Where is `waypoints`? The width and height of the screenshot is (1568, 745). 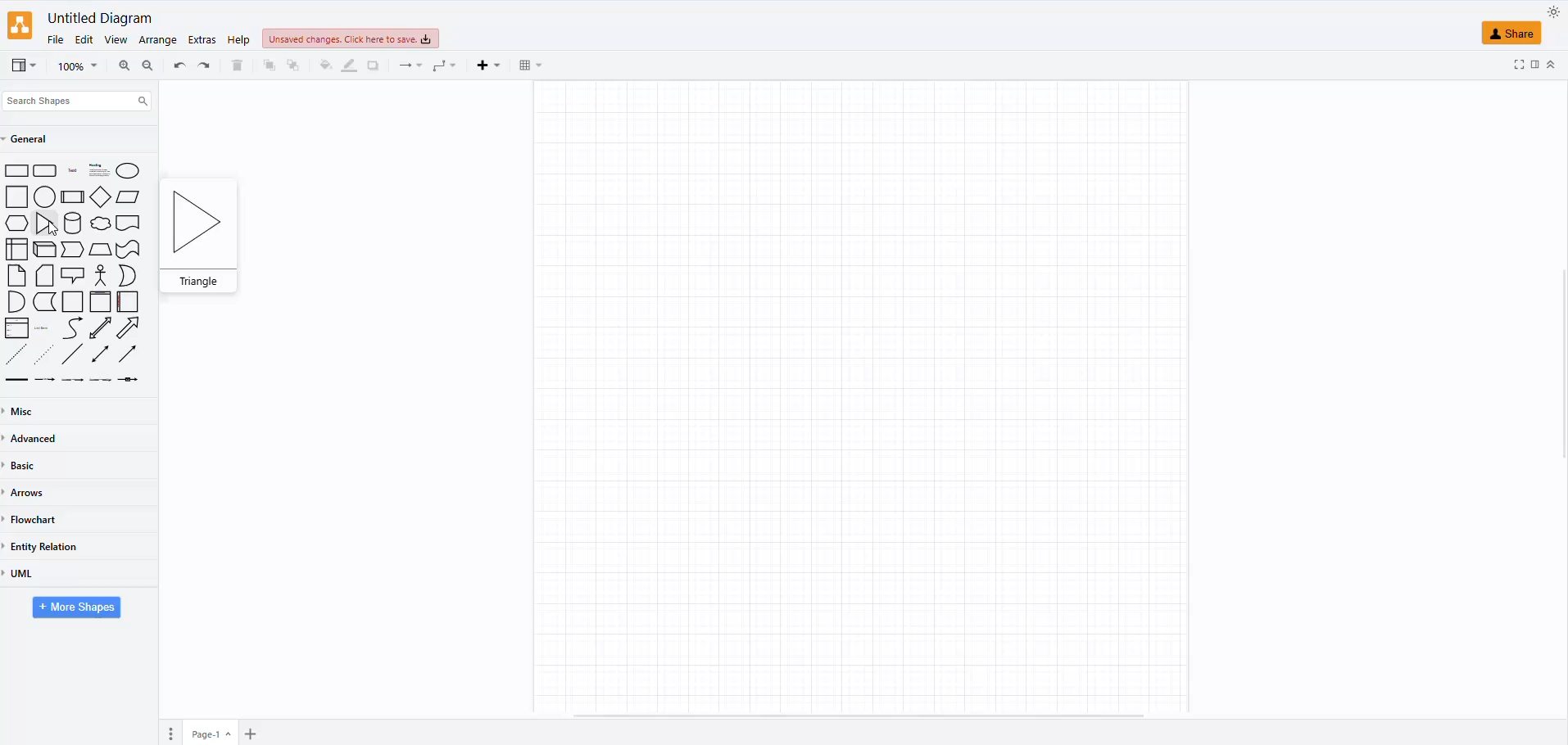 waypoints is located at coordinates (442, 68).